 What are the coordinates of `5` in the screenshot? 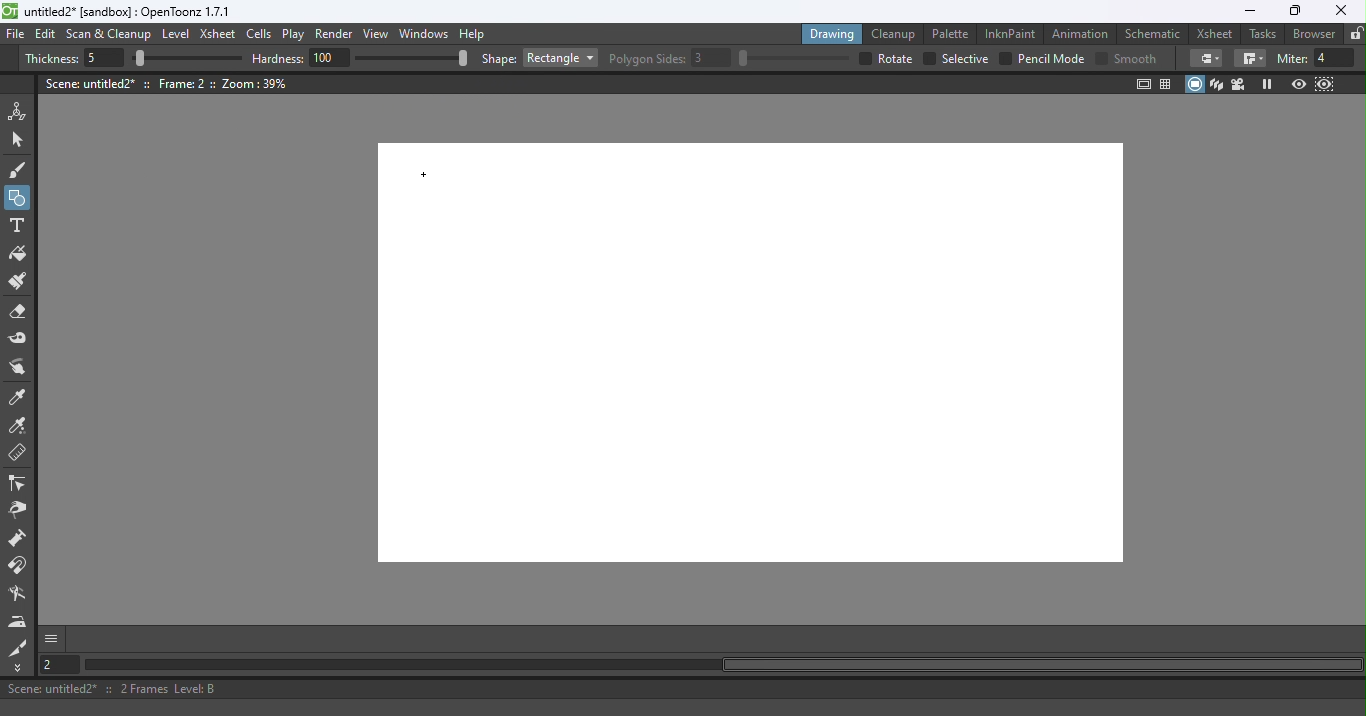 It's located at (101, 59).